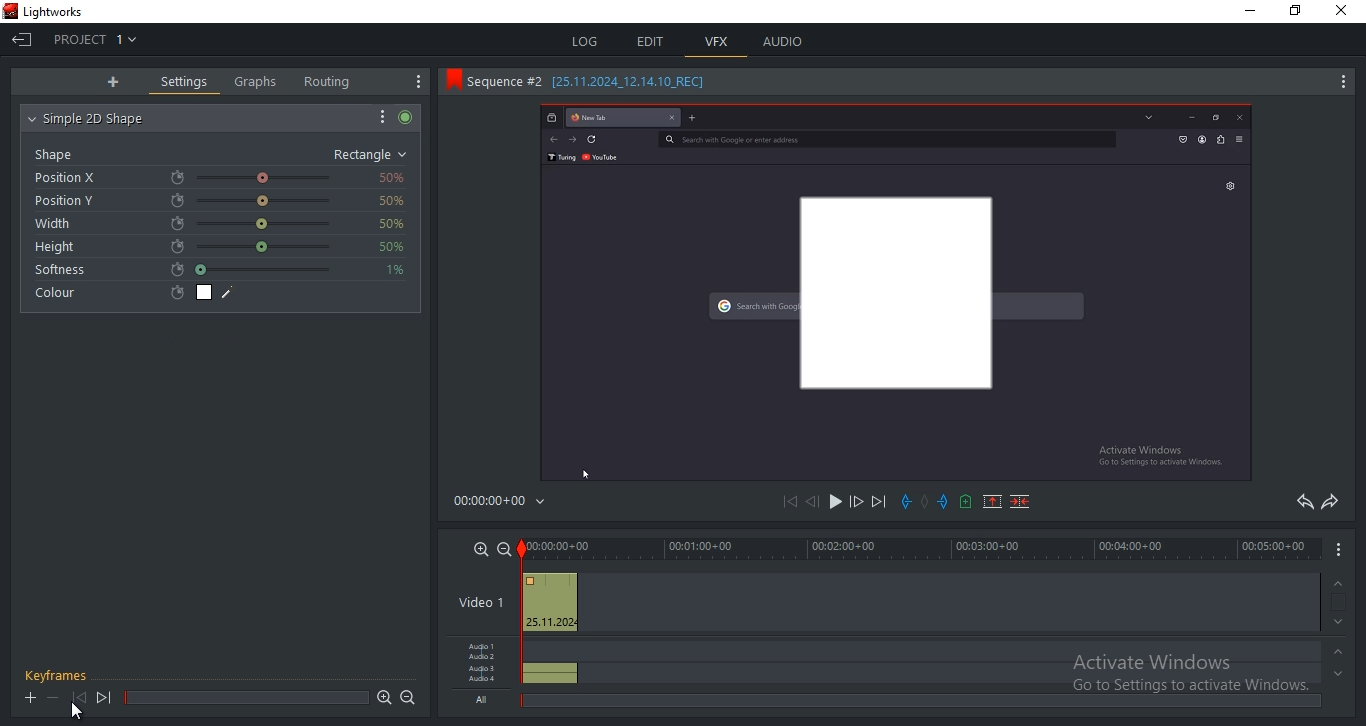 Image resolution: width=1366 pixels, height=726 pixels. Describe the element at coordinates (383, 699) in the screenshot. I see `zoom in` at that location.